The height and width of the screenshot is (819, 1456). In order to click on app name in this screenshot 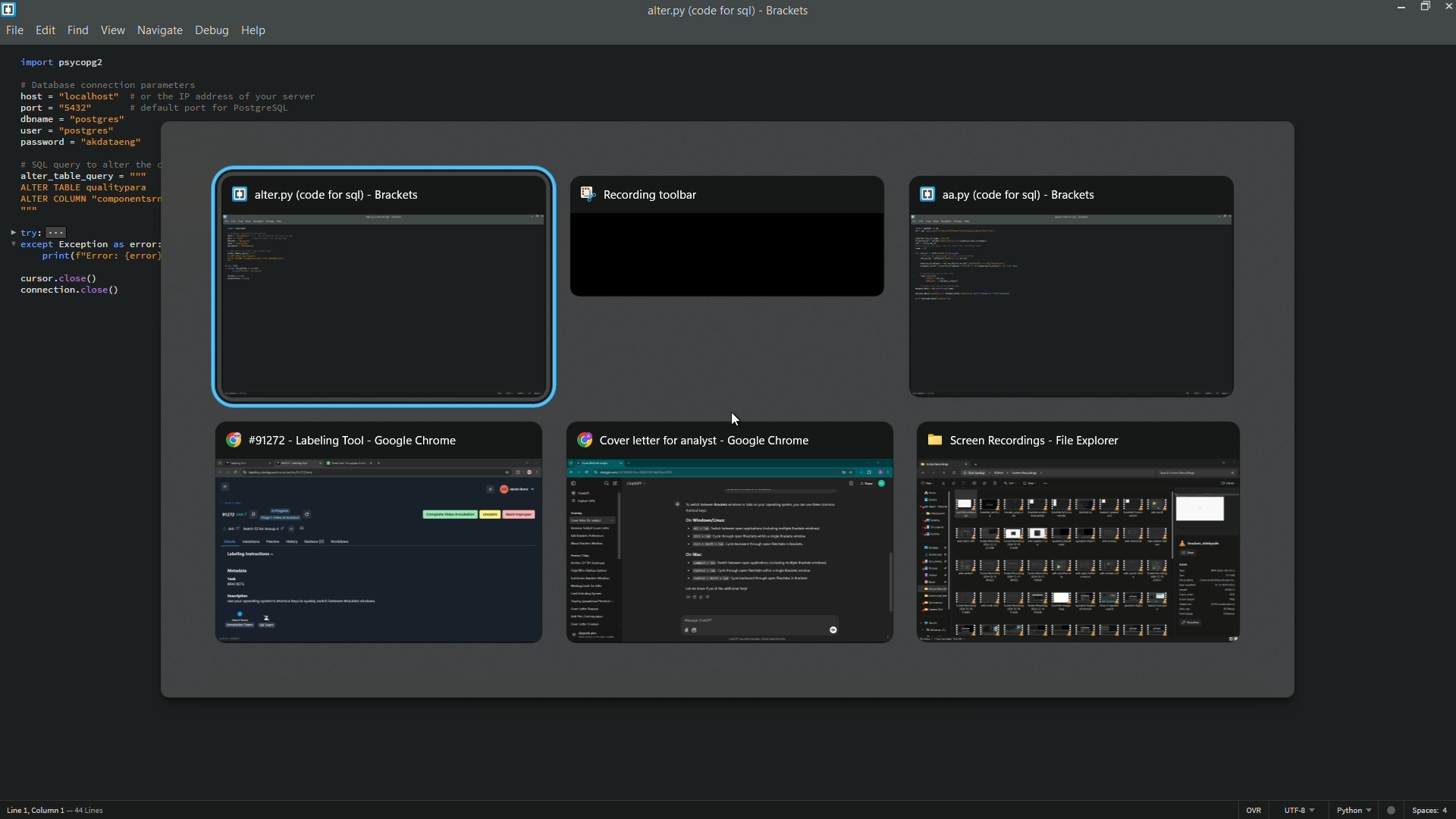, I will do `click(789, 9)`.